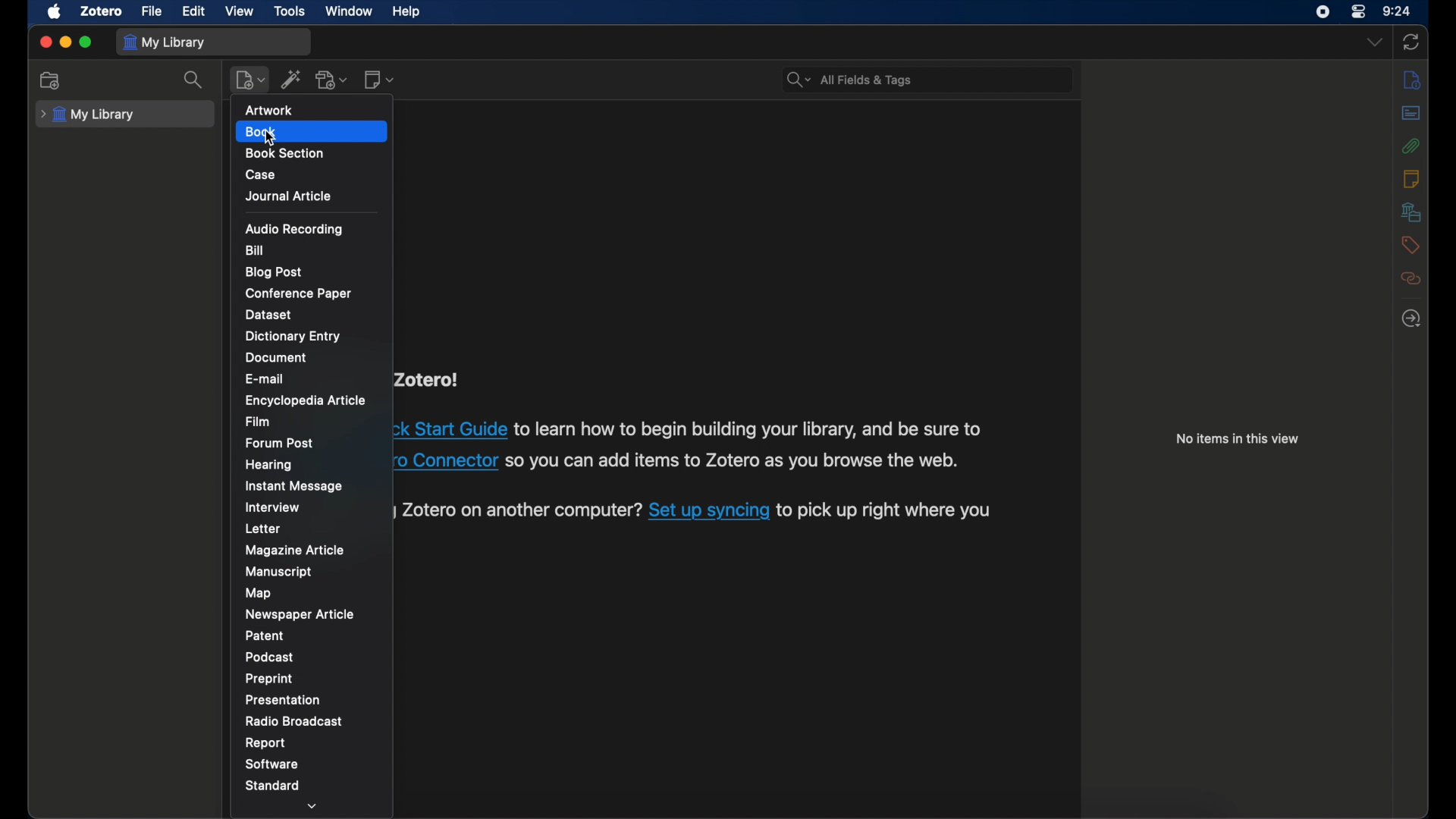 The width and height of the screenshot is (1456, 819). What do you see at coordinates (1411, 113) in the screenshot?
I see `abstract` at bounding box center [1411, 113].